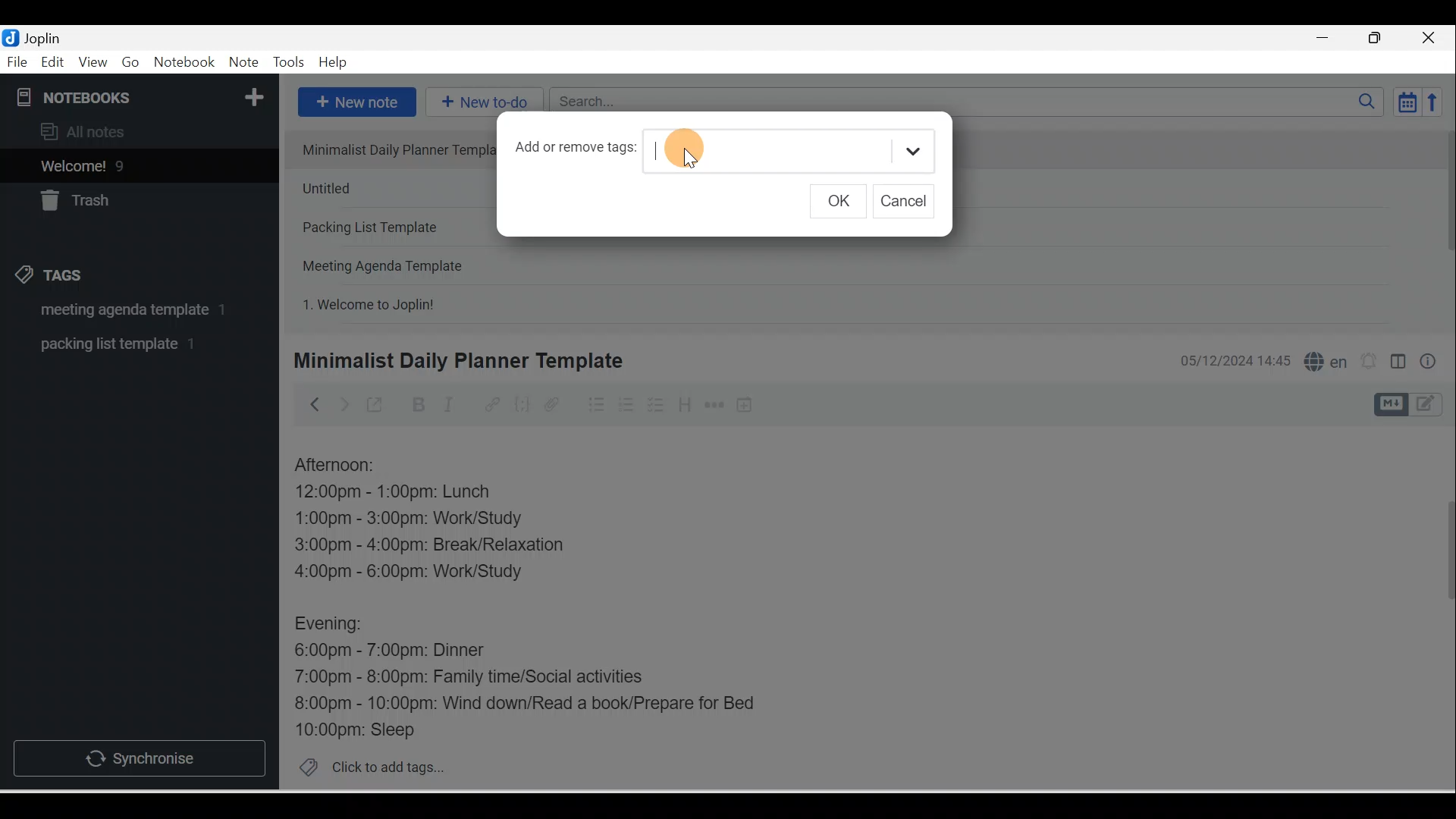 Image resolution: width=1456 pixels, height=819 pixels. Describe the element at coordinates (363, 729) in the screenshot. I see `10:00pm: Sleep` at that location.